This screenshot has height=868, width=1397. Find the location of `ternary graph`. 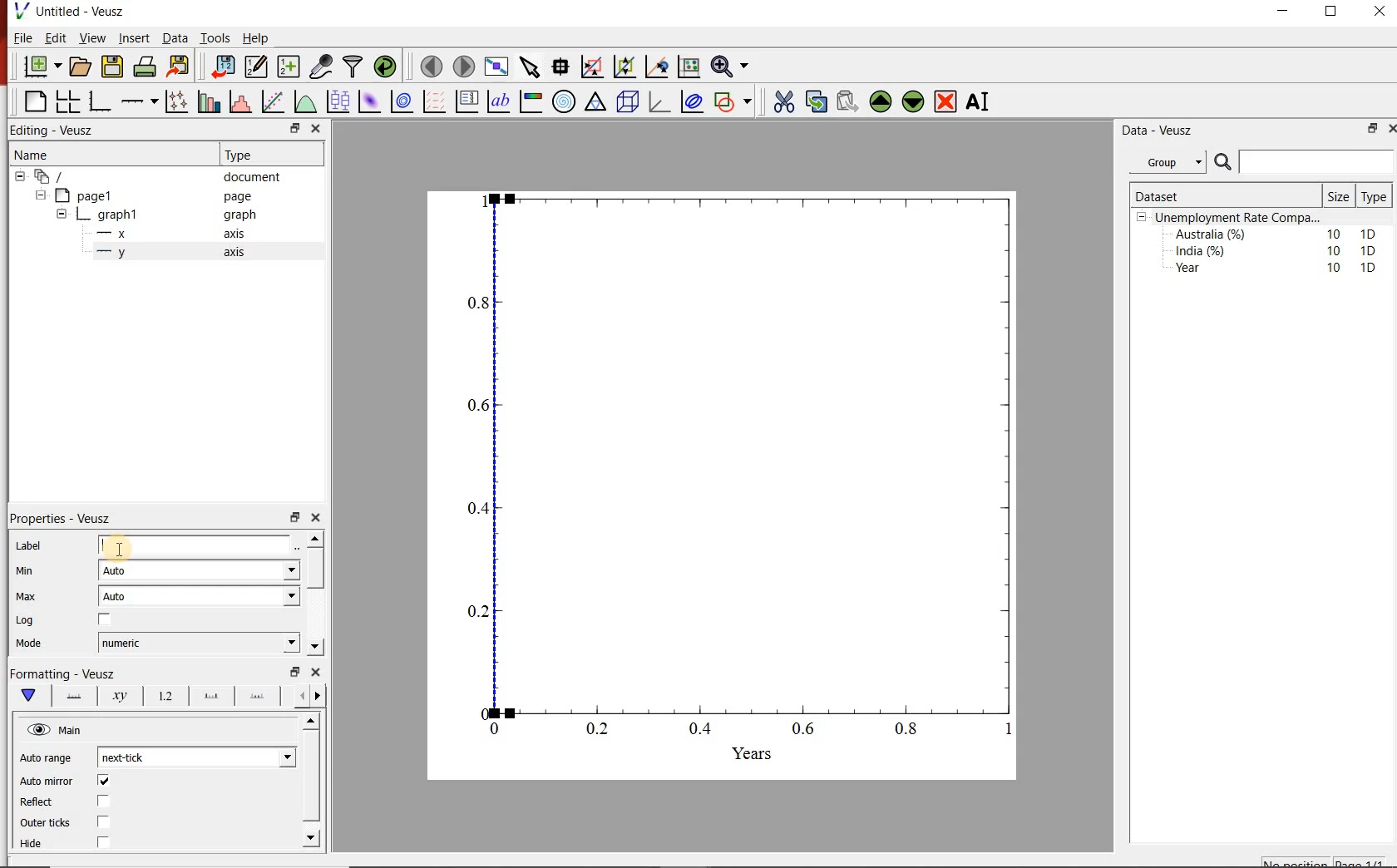

ternary graph is located at coordinates (595, 101).